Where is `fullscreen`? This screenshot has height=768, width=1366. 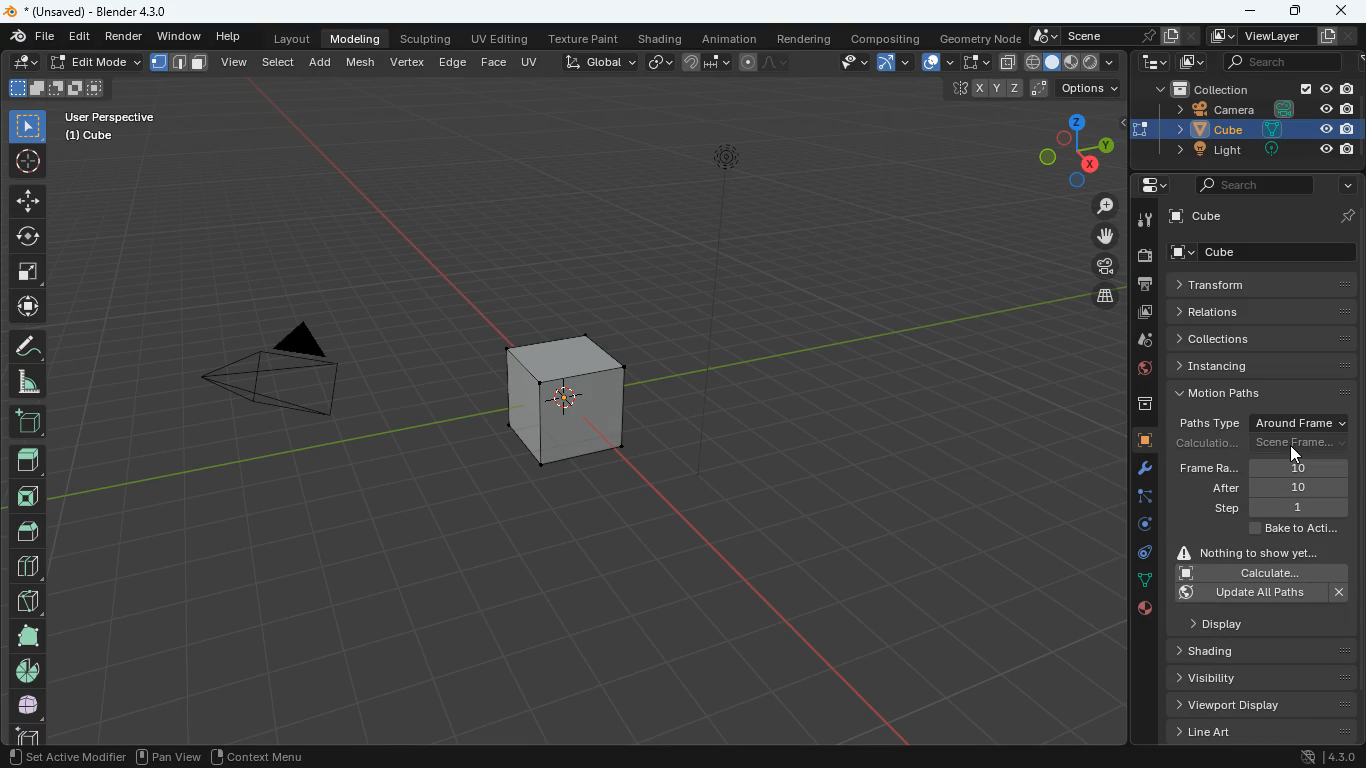 fullscreen is located at coordinates (974, 61).